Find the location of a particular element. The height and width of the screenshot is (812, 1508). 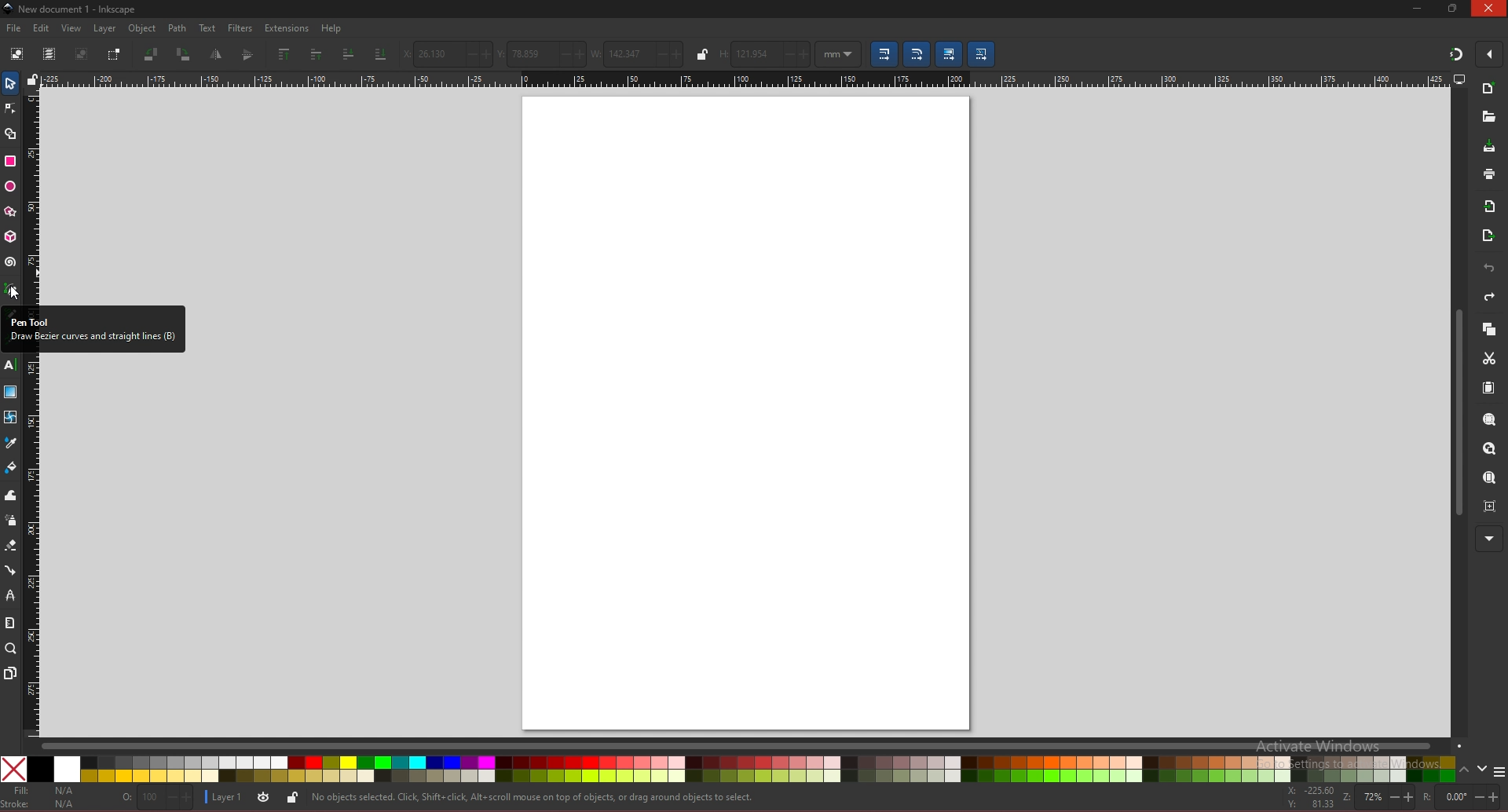

rotate 90 degree cw is located at coordinates (184, 56).